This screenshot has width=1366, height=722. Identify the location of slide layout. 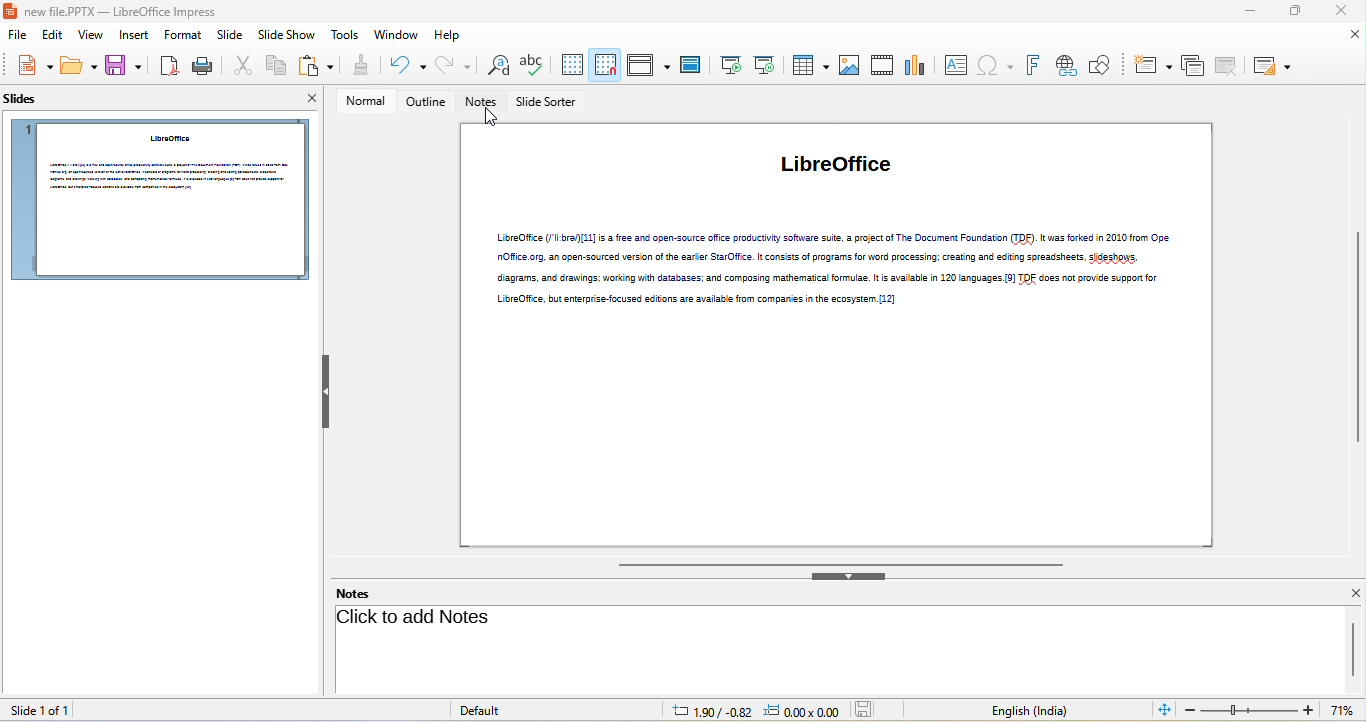
(1271, 66).